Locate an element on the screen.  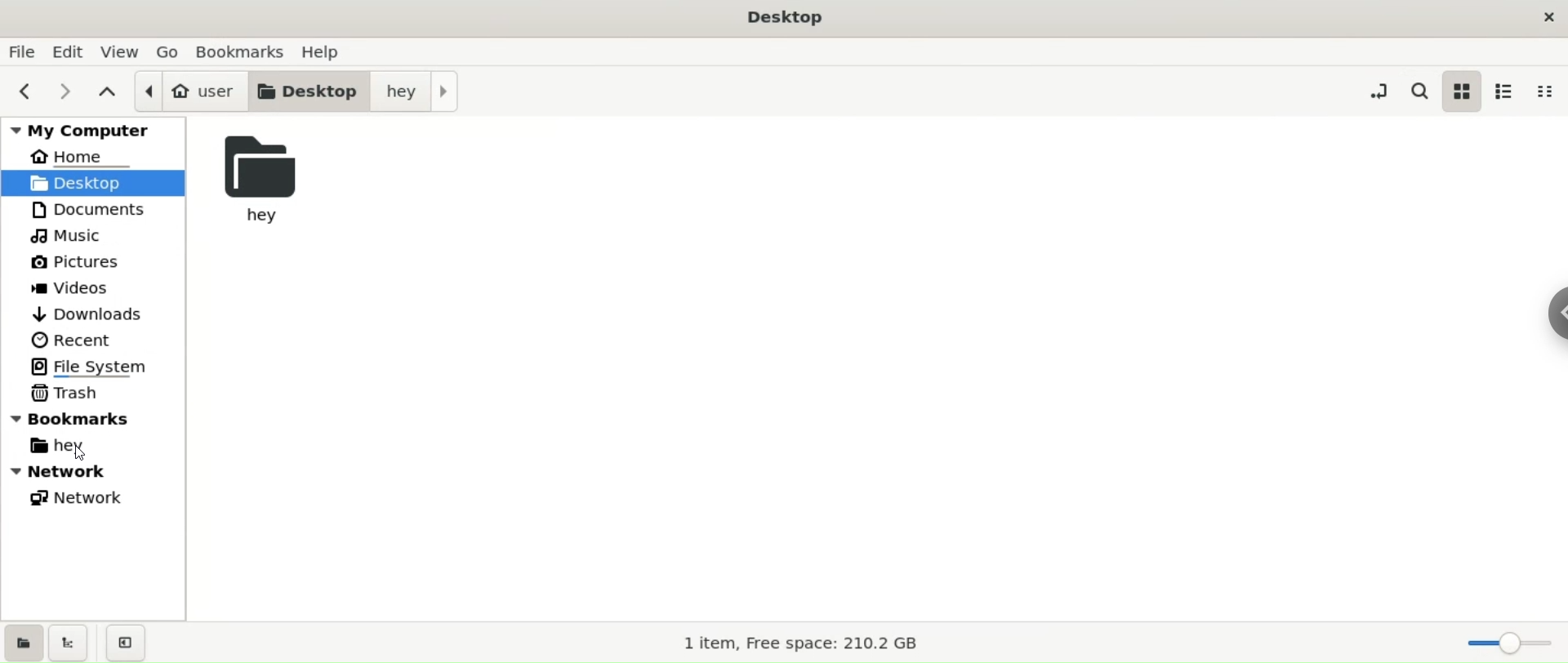
recent is located at coordinates (76, 340).